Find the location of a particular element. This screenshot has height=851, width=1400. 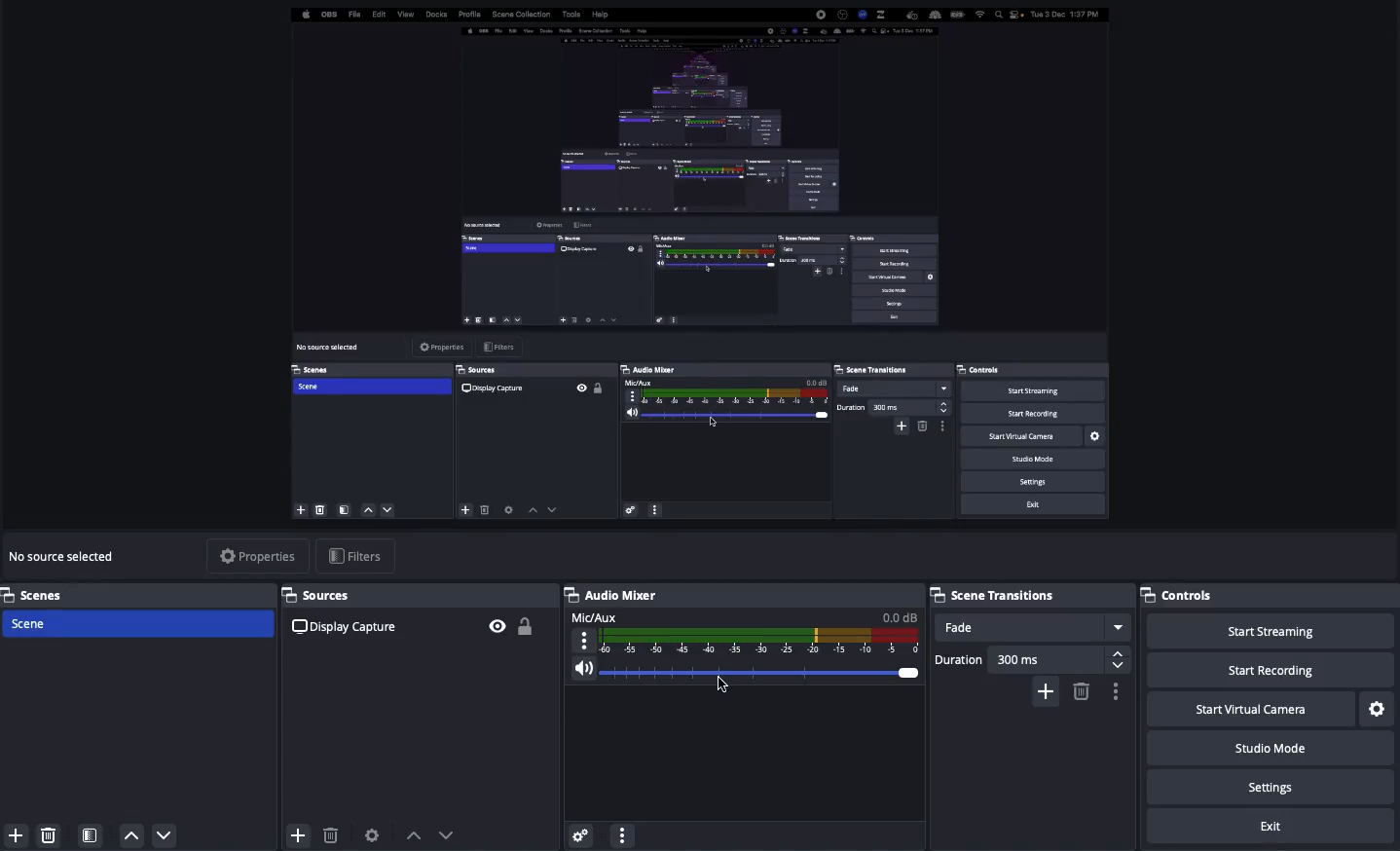

Start streaming is located at coordinates (1270, 632).